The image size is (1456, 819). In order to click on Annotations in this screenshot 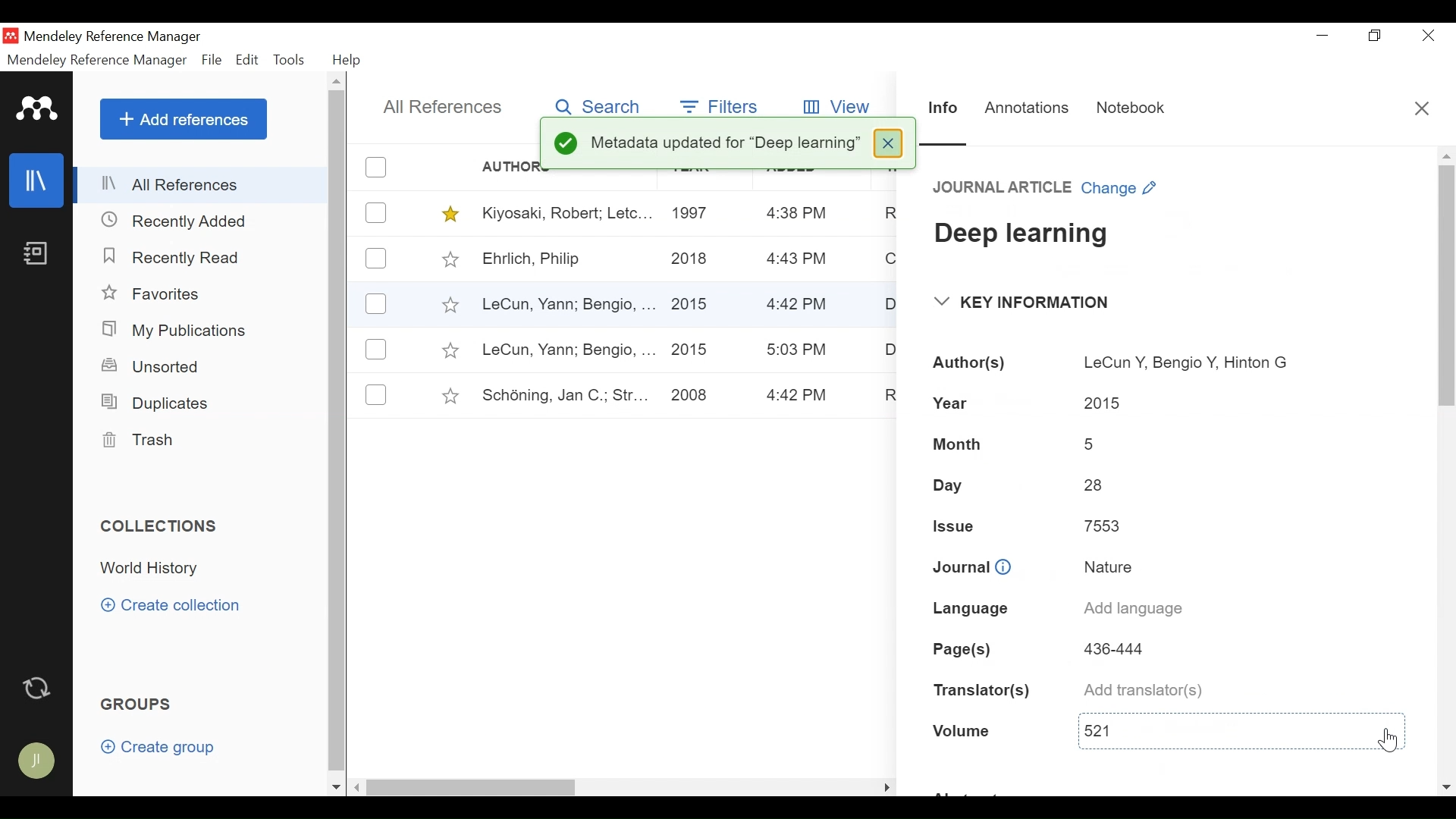, I will do `click(1027, 105)`.